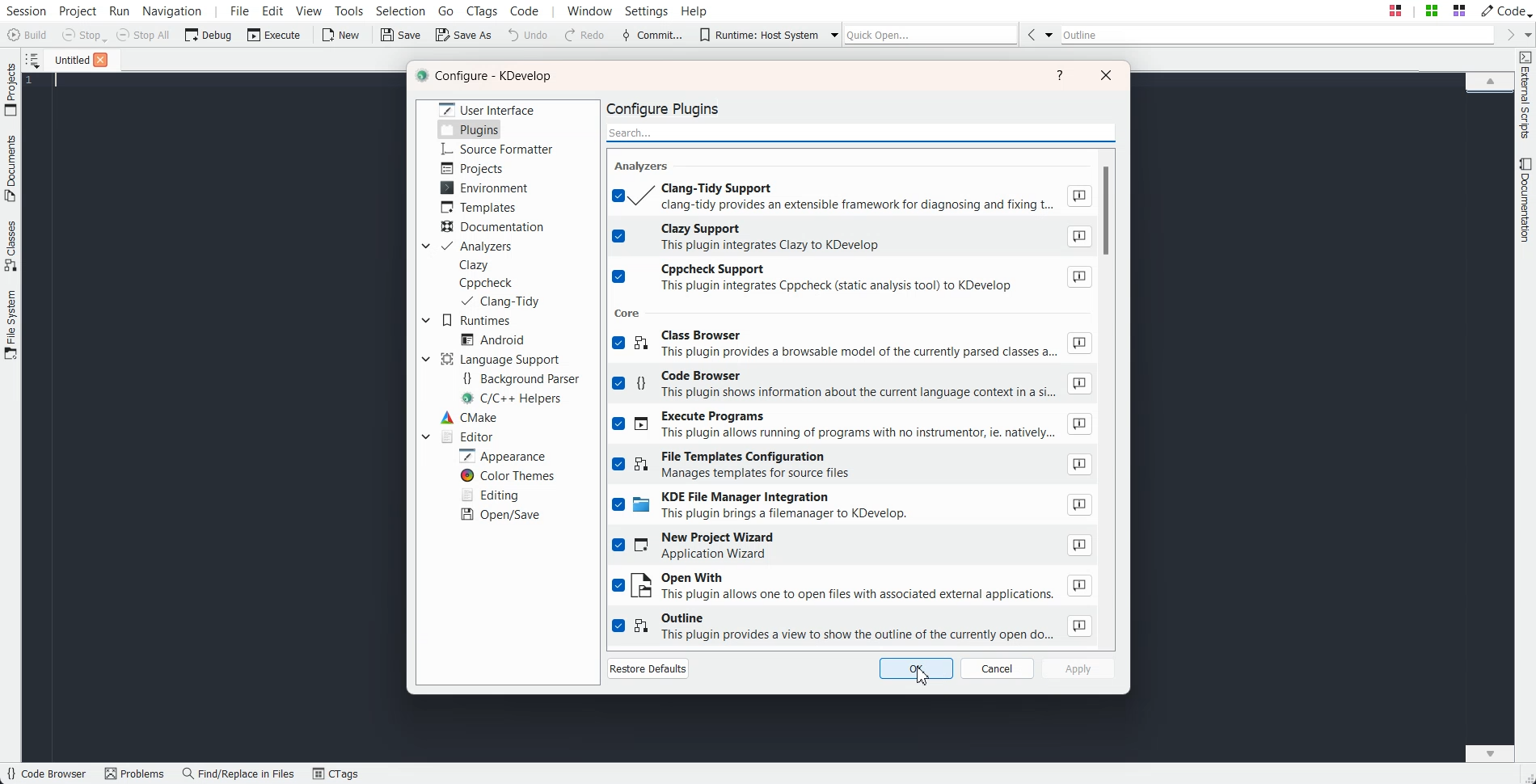 The height and width of the screenshot is (784, 1536). What do you see at coordinates (501, 456) in the screenshot?
I see `Appearance` at bounding box center [501, 456].